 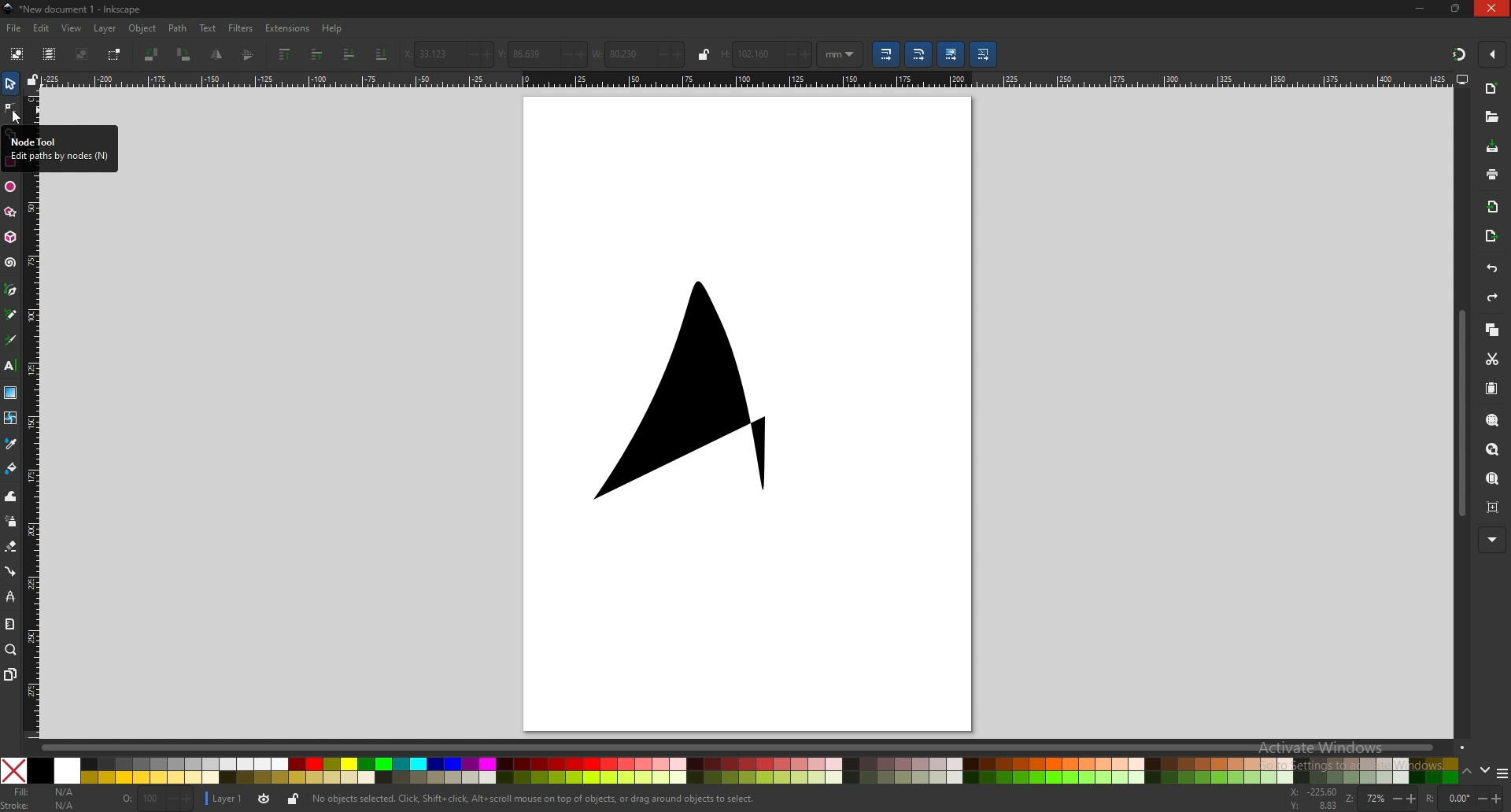 I want to click on horizontal scale, so click(x=744, y=79).